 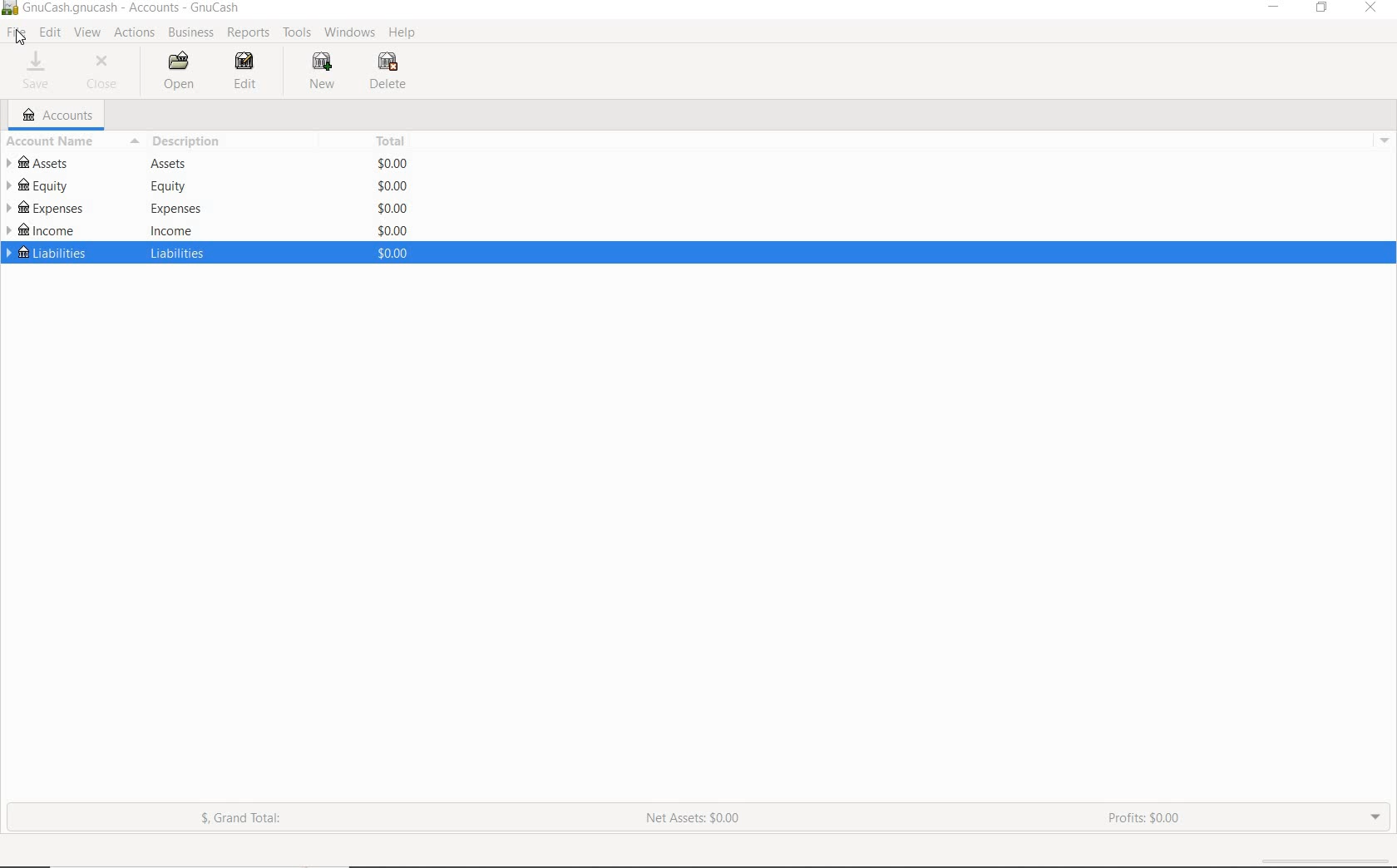 I want to click on VIEW, so click(x=90, y=32).